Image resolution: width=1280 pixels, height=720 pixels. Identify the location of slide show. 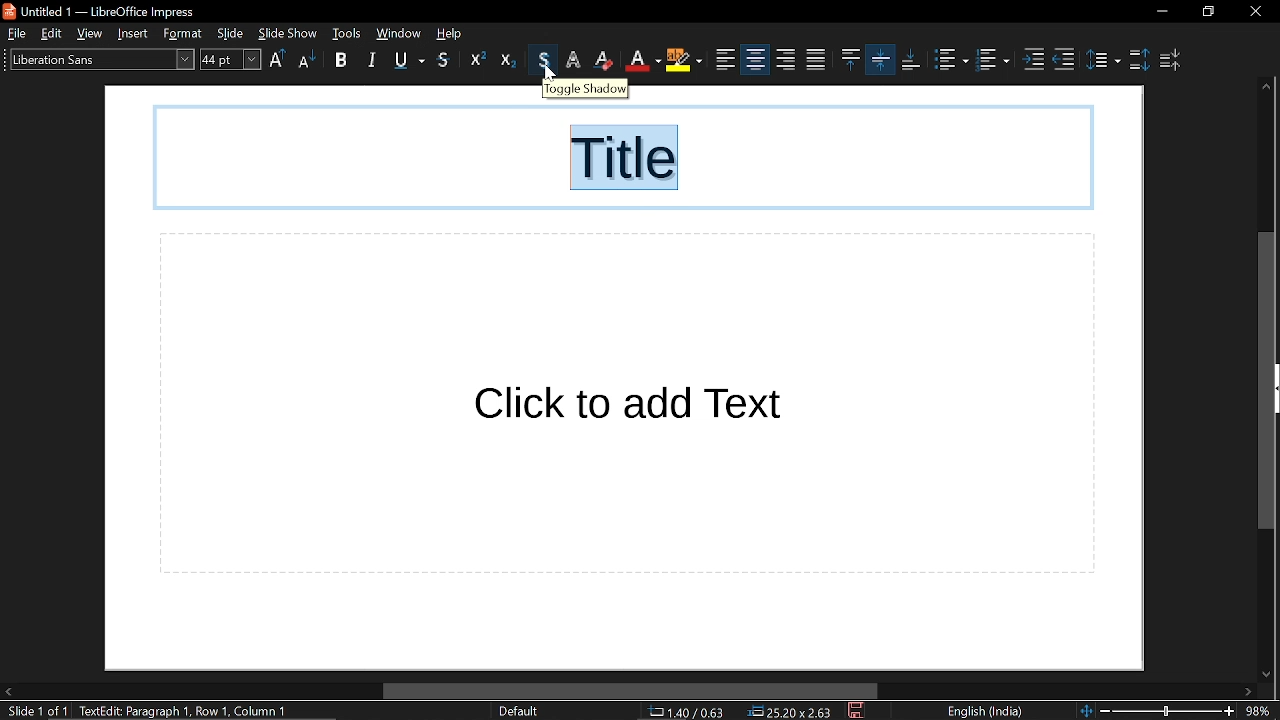
(287, 32).